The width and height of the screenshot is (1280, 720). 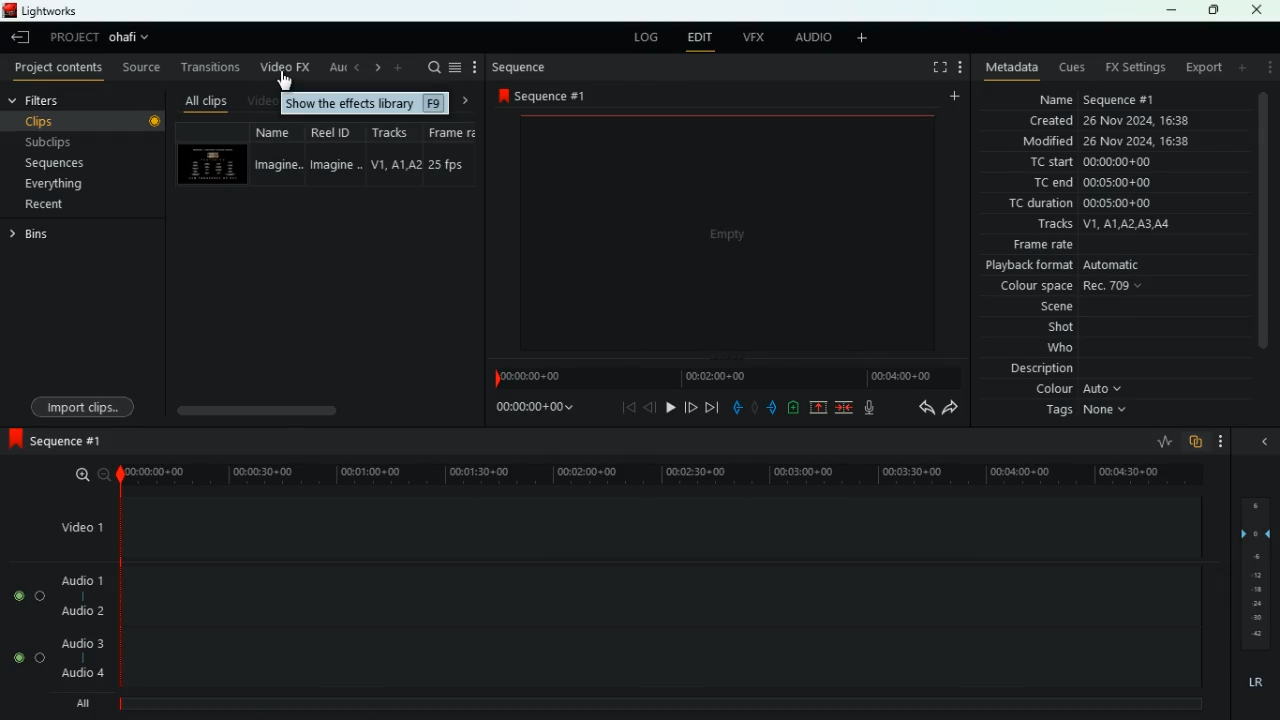 I want to click on colour space, so click(x=1074, y=287).